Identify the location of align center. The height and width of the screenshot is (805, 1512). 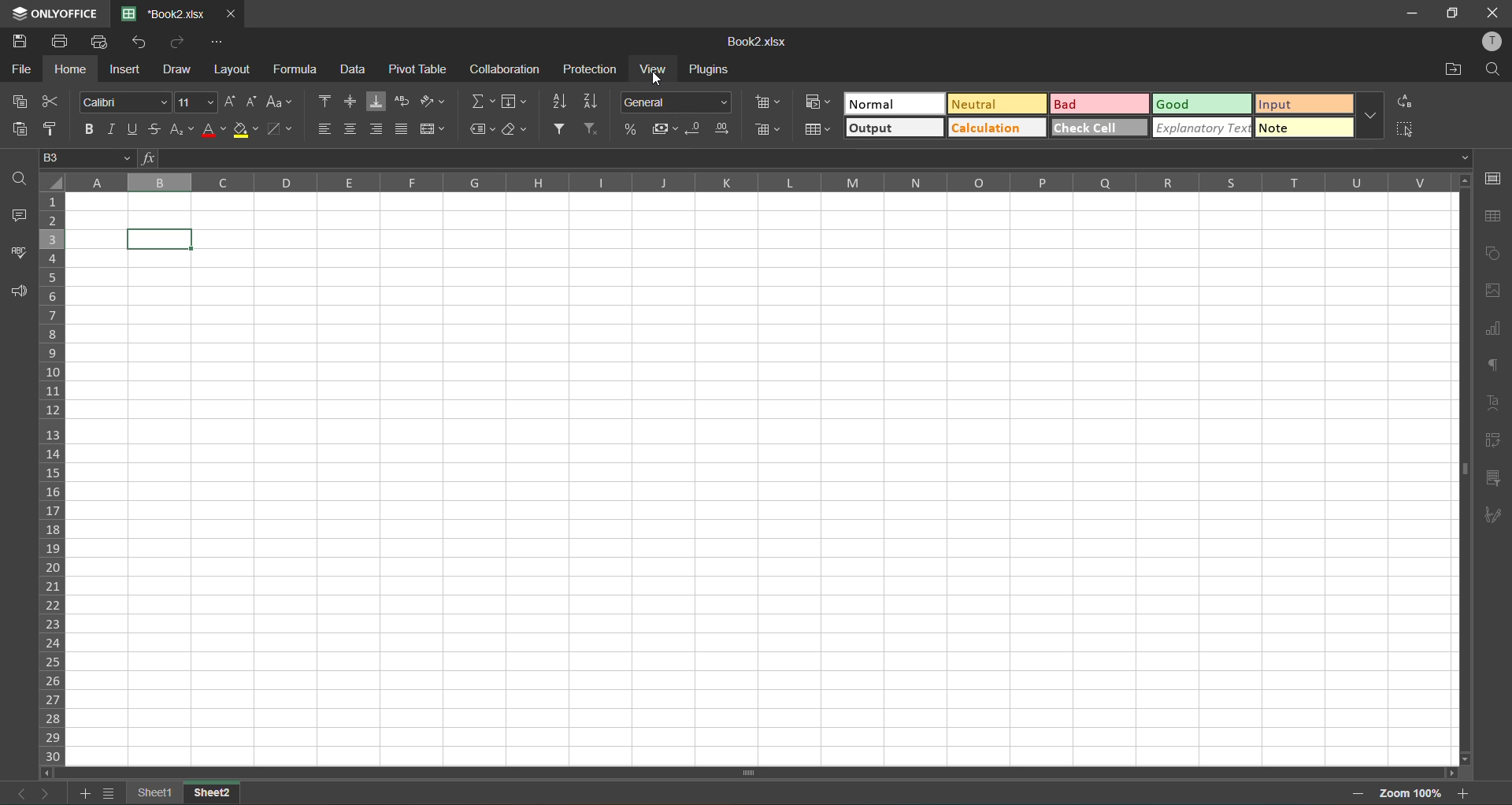
(350, 129).